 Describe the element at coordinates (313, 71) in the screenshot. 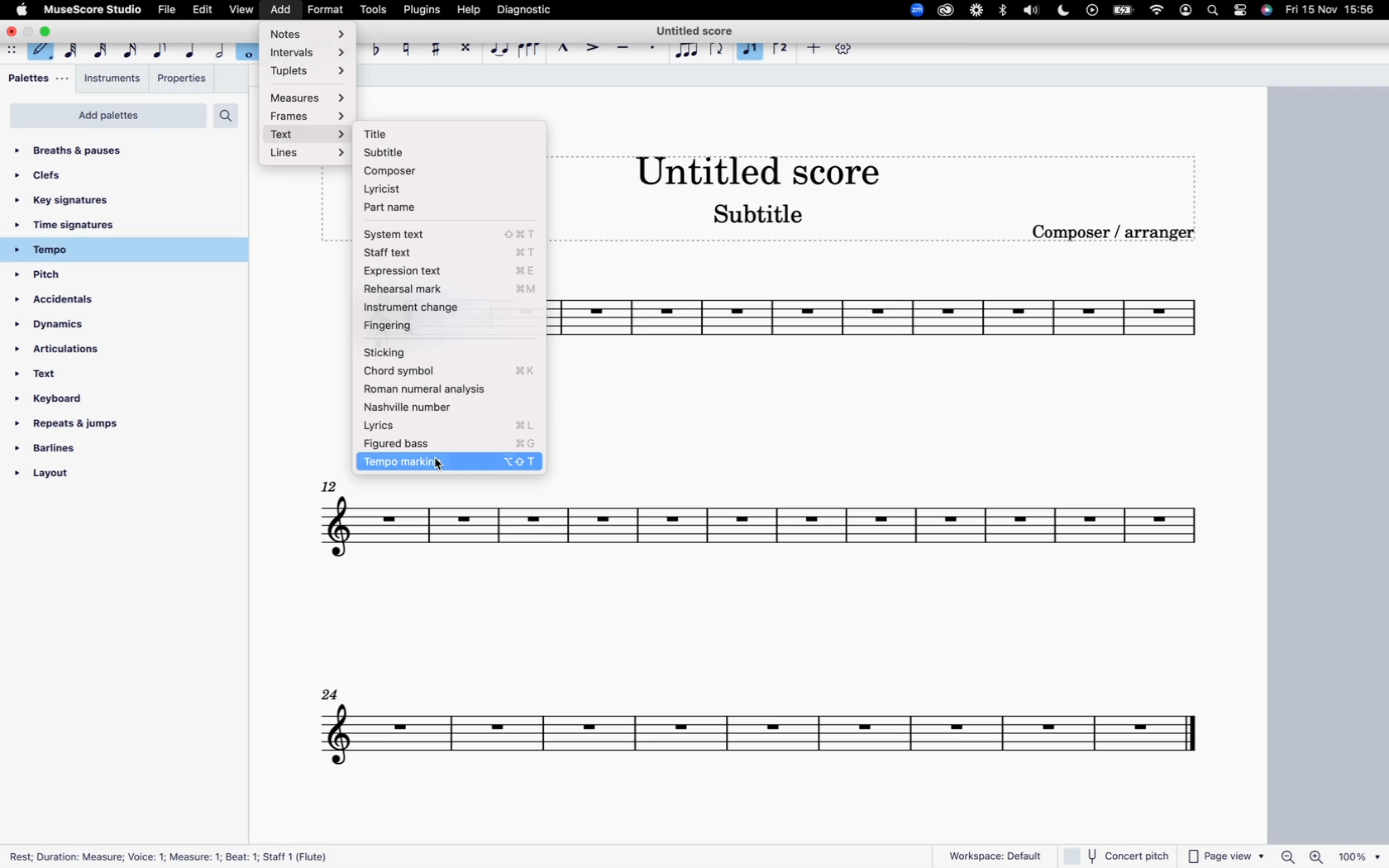

I see `tuplets` at that location.